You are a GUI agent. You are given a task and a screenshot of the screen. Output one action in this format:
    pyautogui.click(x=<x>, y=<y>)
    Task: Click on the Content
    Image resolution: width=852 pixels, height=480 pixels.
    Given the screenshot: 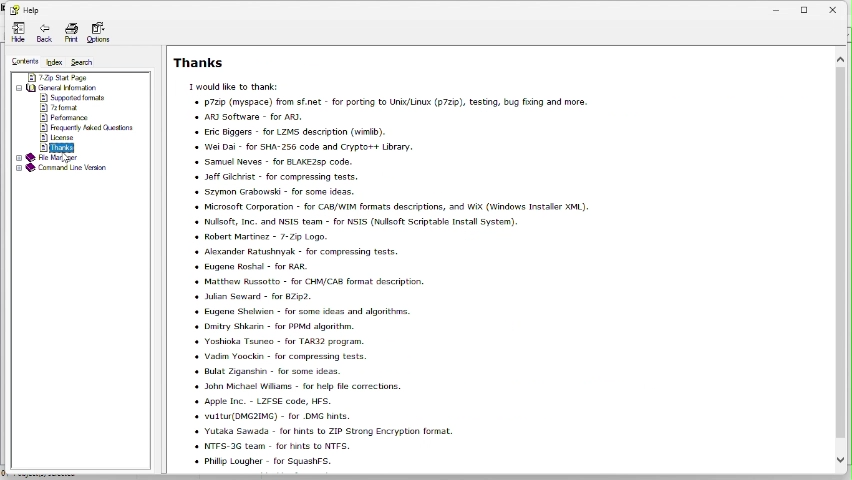 What is the action you would take?
    pyautogui.click(x=20, y=60)
    